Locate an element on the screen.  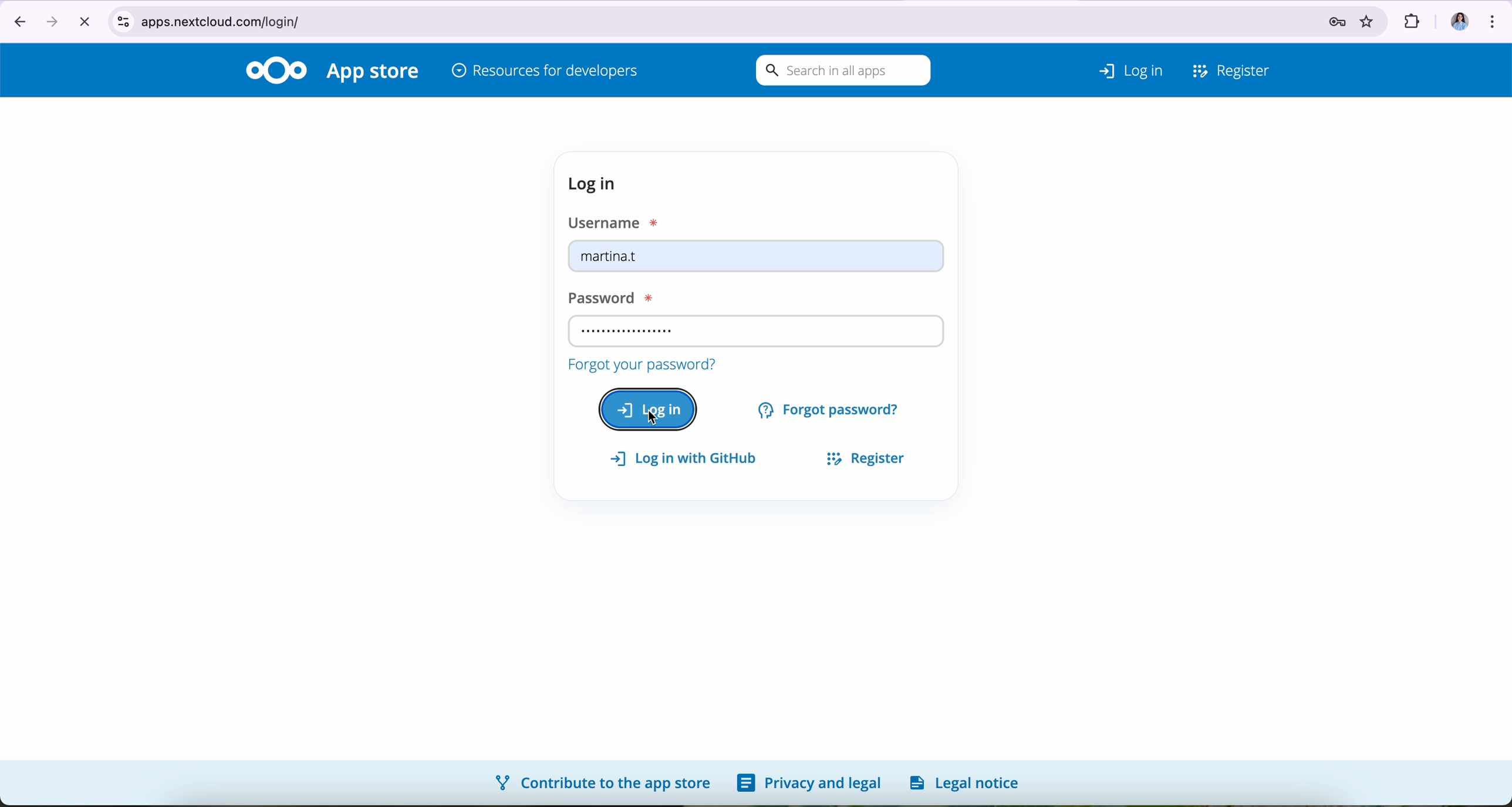
Log in is located at coordinates (1115, 67).